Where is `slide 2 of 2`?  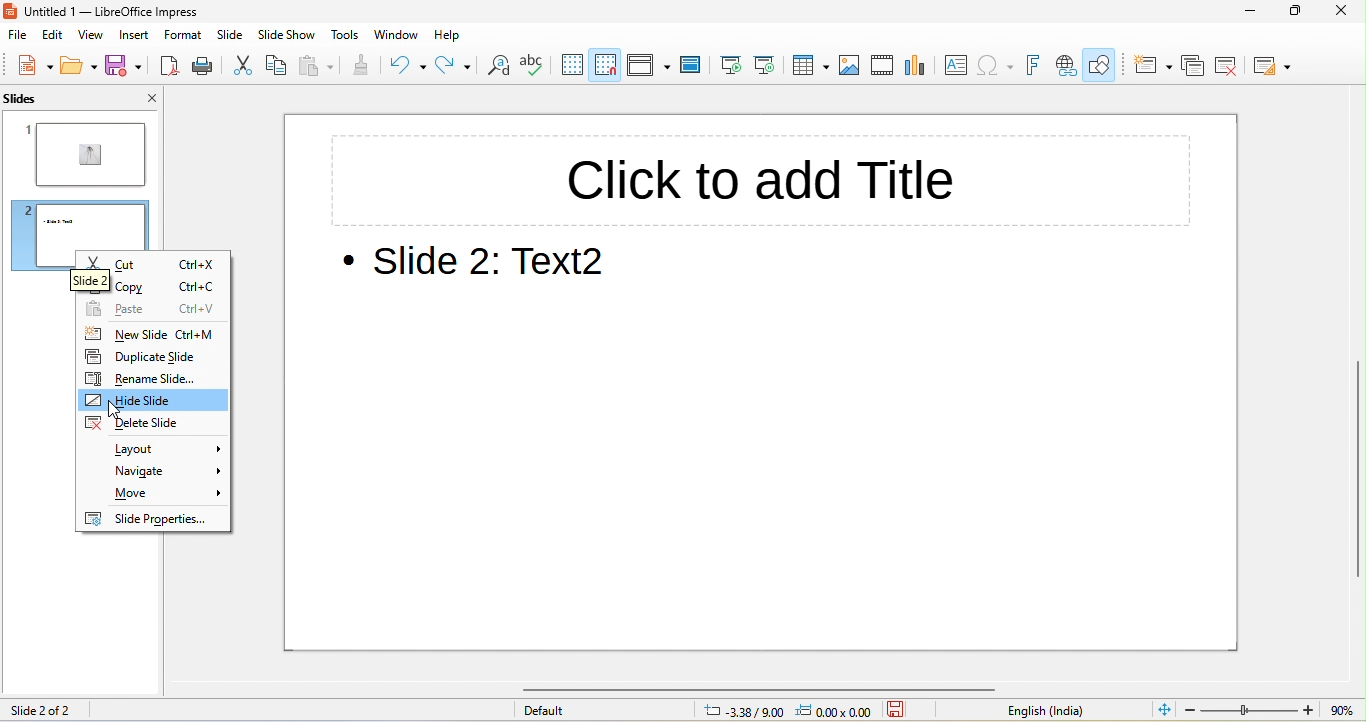
slide 2 of 2 is located at coordinates (50, 709).